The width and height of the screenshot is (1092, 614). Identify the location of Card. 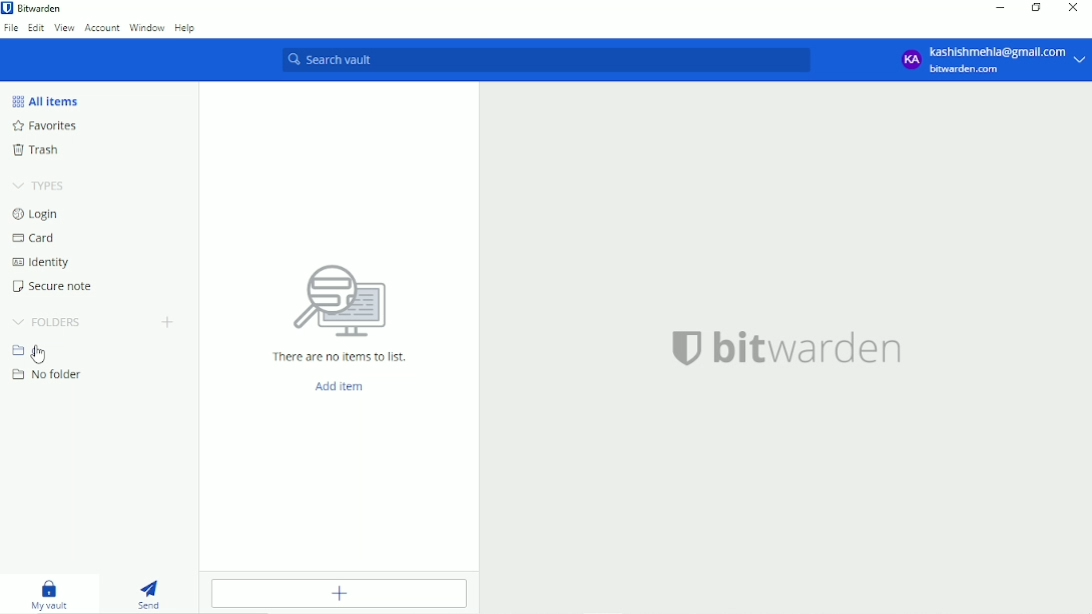
(37, 238).